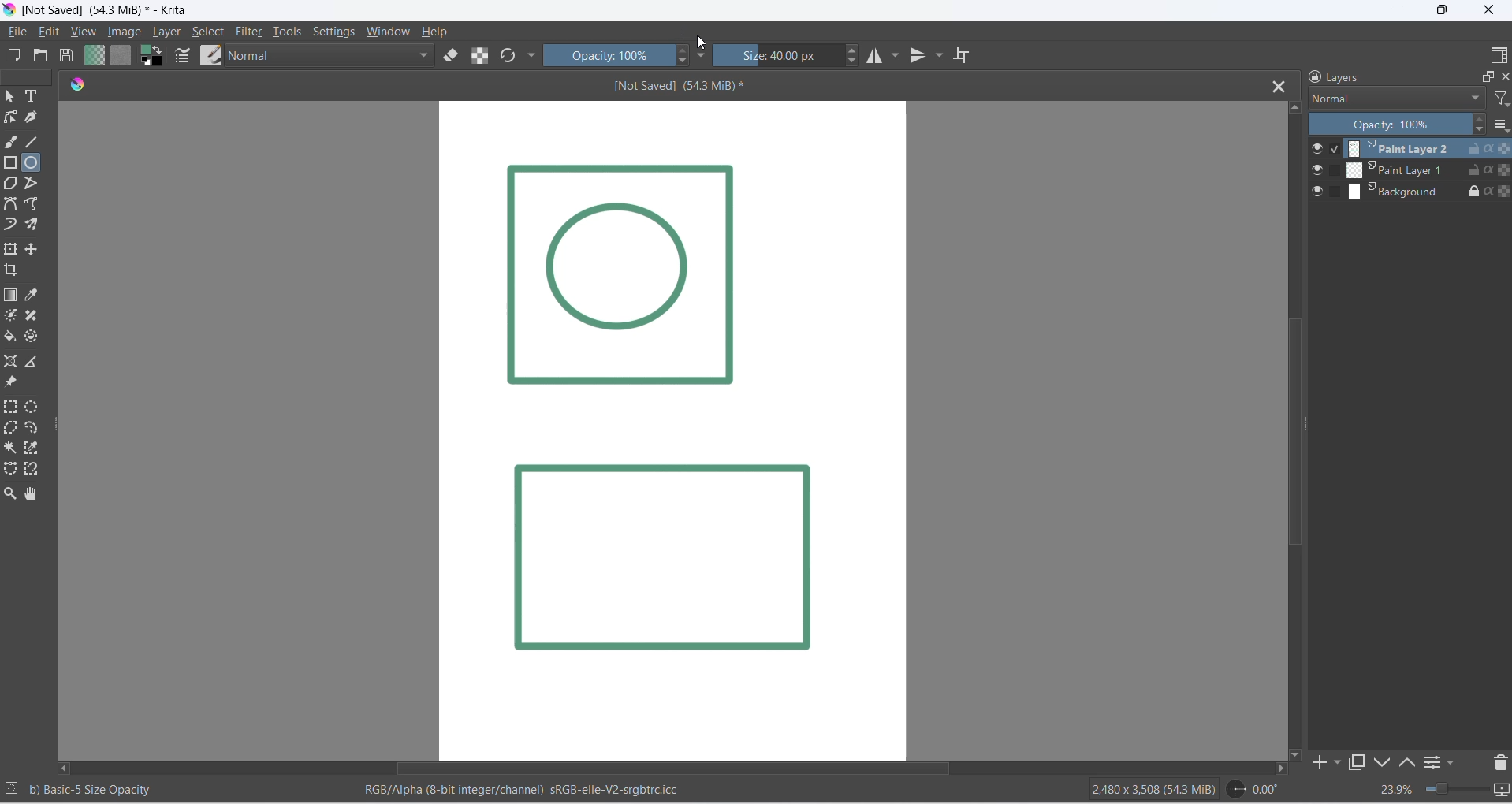  Describe the element at coordinates (1395, 98) in the screenshot. I see `layer type` at that location.